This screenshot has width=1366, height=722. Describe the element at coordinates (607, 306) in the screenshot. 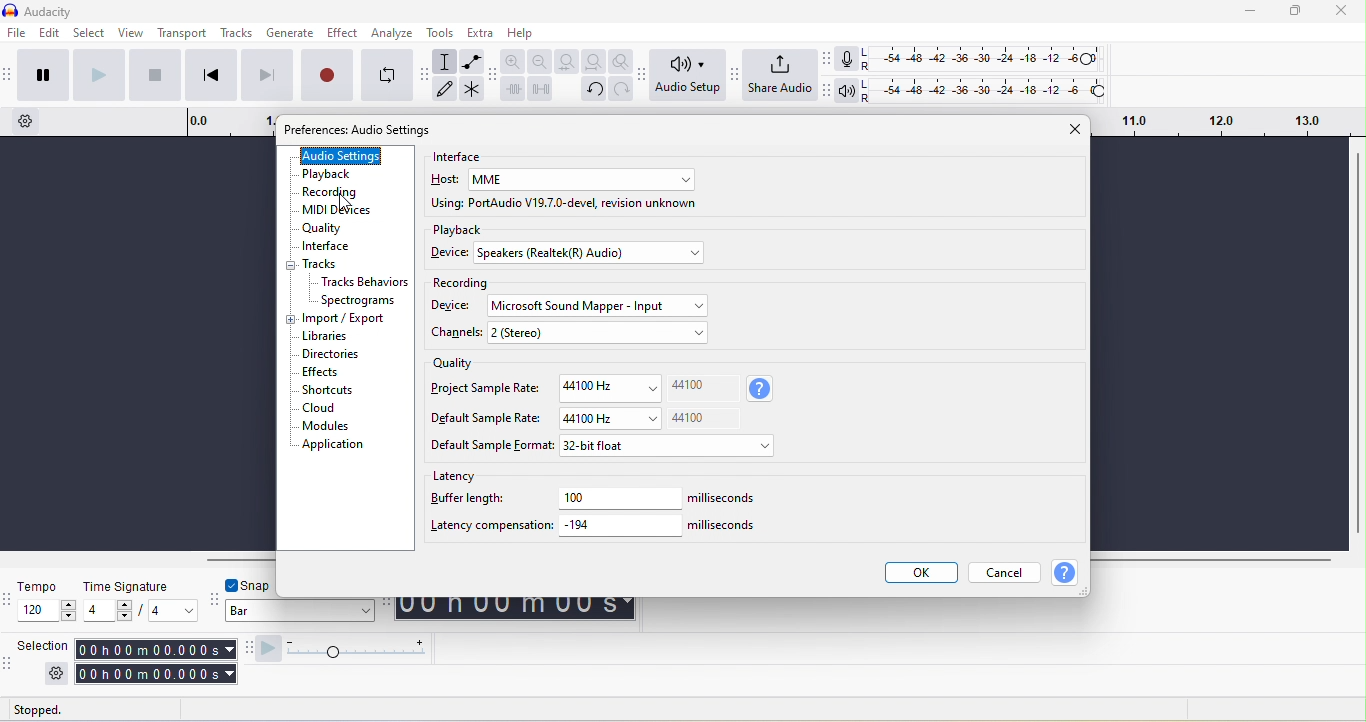

I see `microsoft sound mapper` at that location.